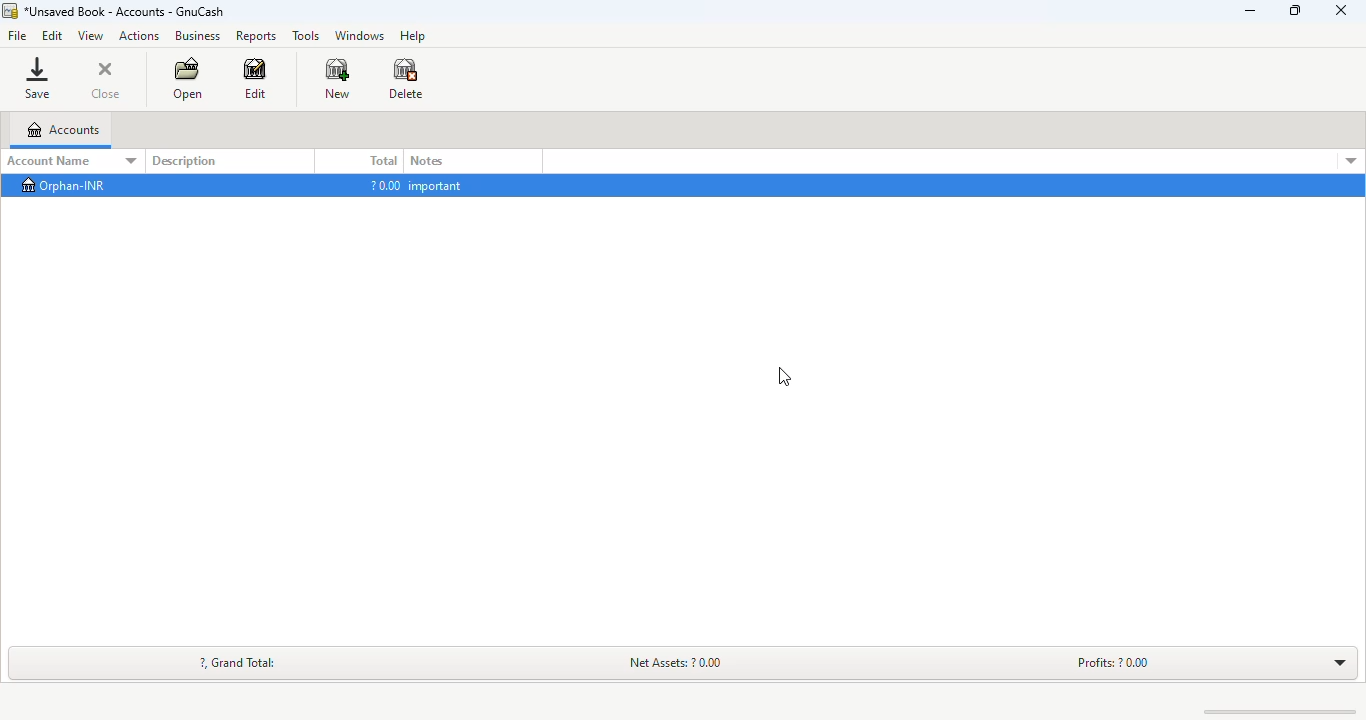 The width and height of the screenshot is (1366, 720). I want to click on net assets: ? 0.00, so click(679, 662).